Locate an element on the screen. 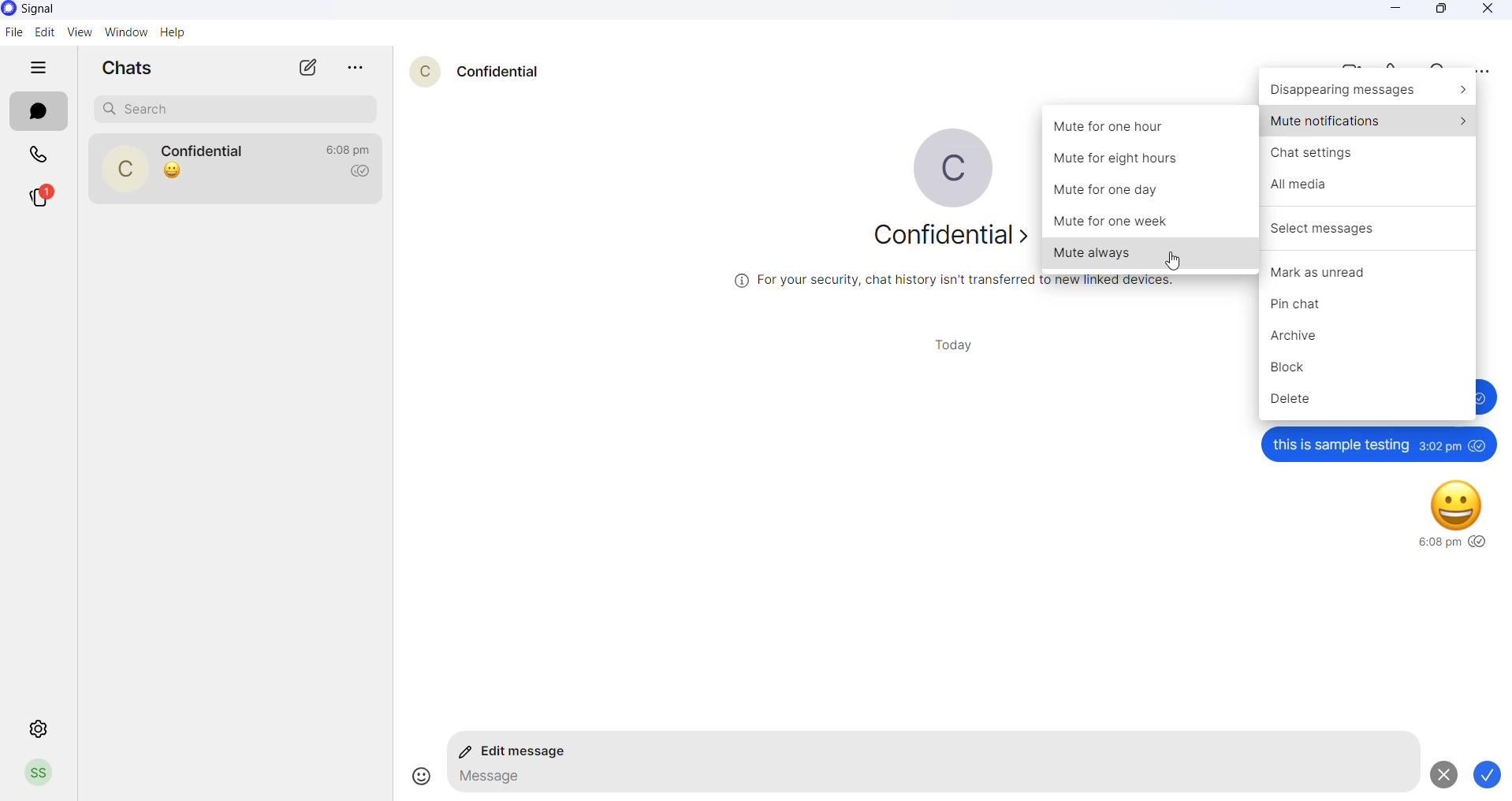  select messages is located at coordinates (1370, 226).